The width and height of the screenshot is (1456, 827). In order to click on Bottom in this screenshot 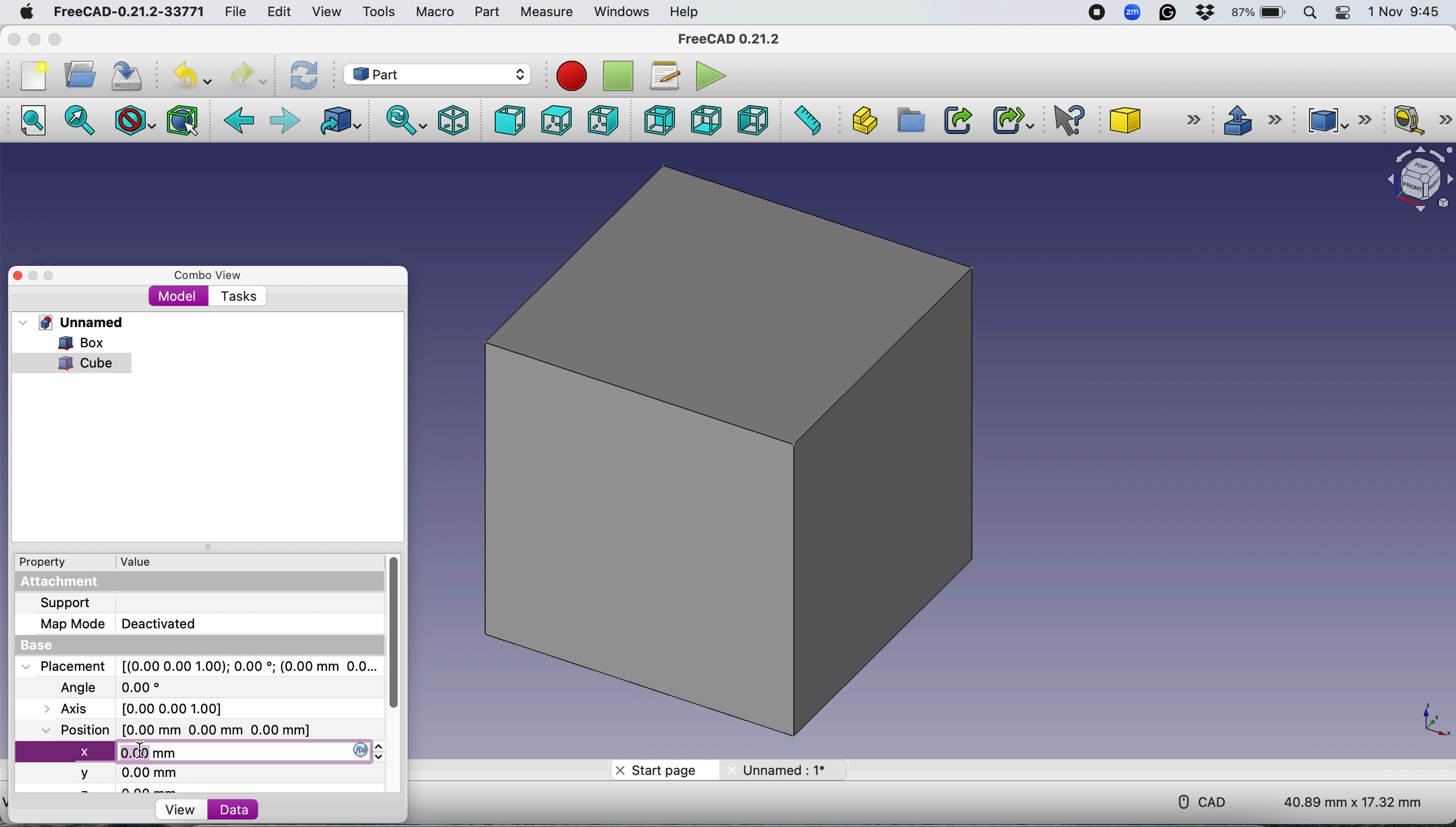, I will do `click(706, 120)`.